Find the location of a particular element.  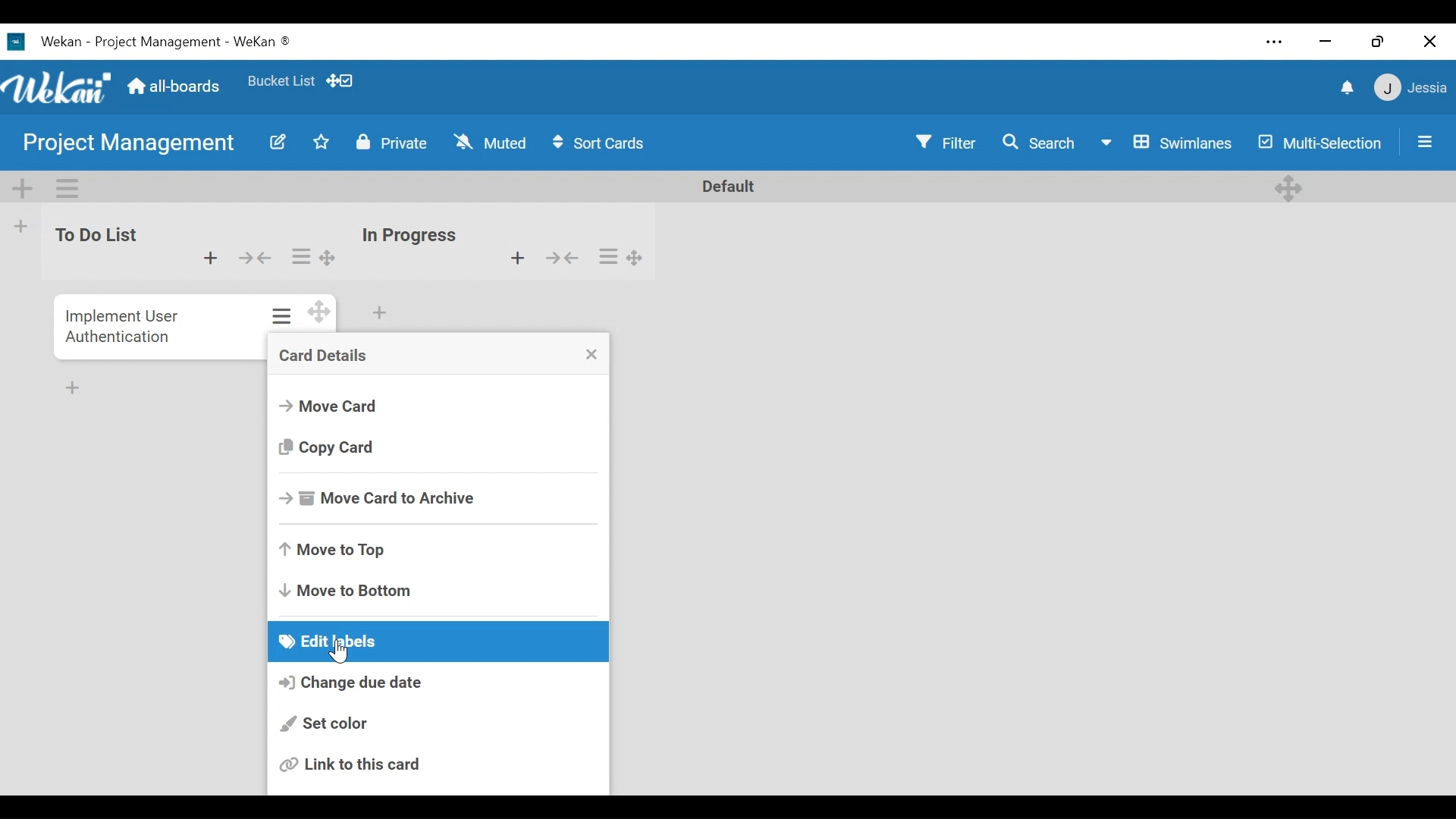

Swimlanes is located at coordinates (1166, 141).